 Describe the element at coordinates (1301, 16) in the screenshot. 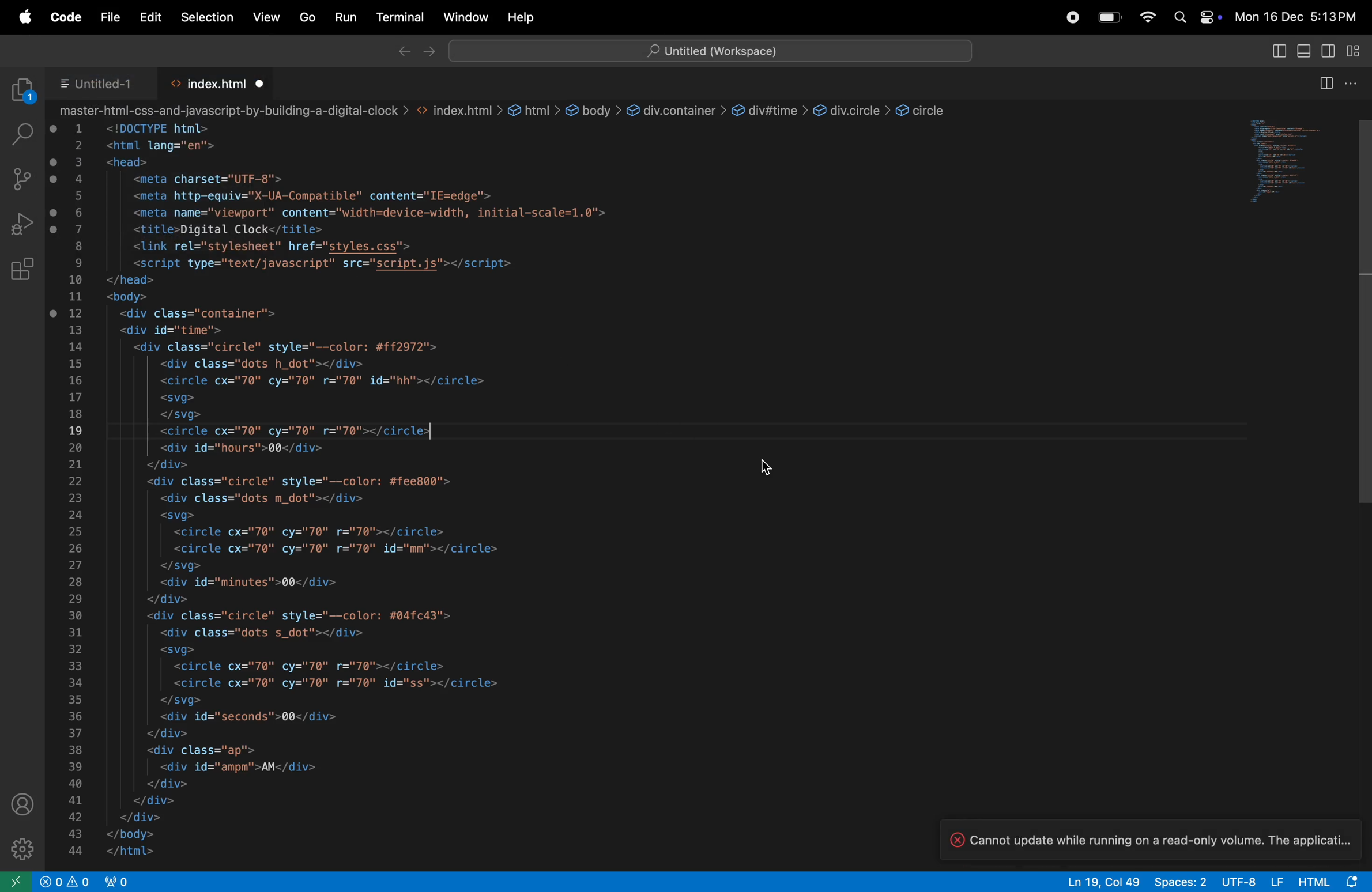

I see `Mon 16 Dec 5:13 PM` at that location.